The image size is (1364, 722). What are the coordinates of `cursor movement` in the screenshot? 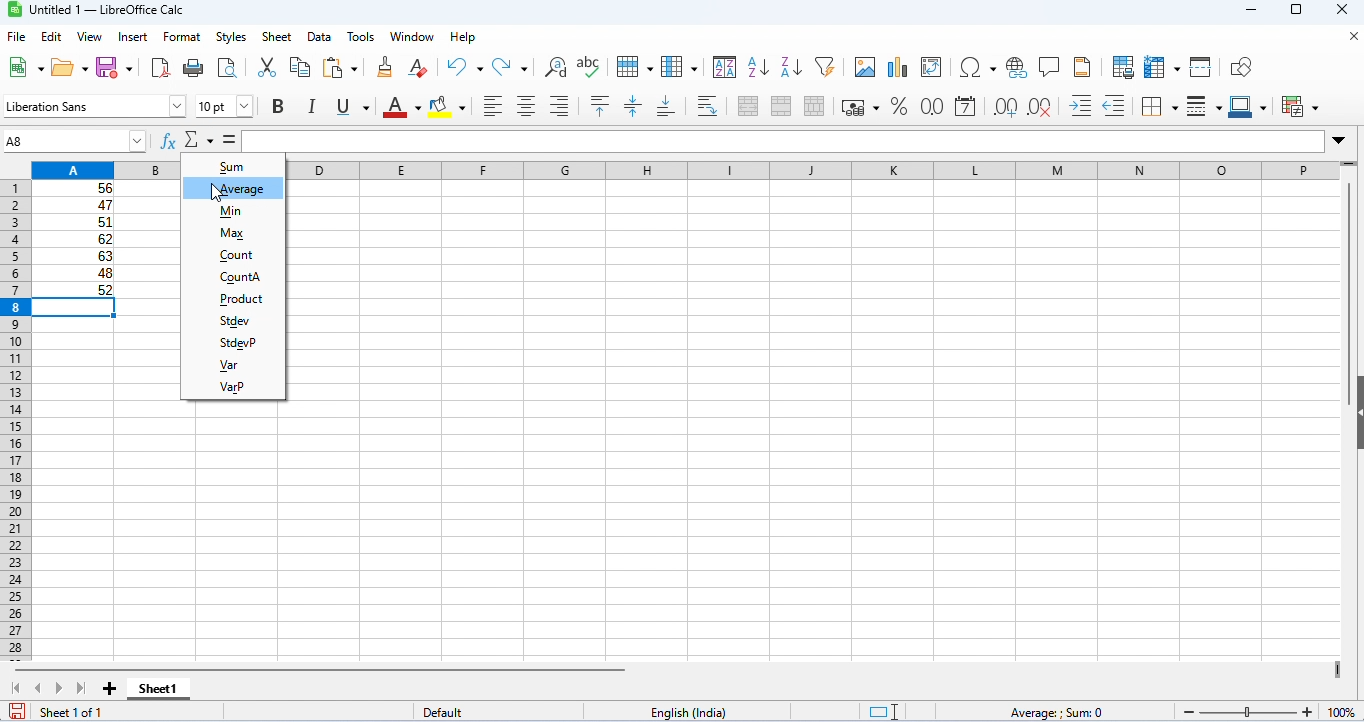 It's located at (218, 192).